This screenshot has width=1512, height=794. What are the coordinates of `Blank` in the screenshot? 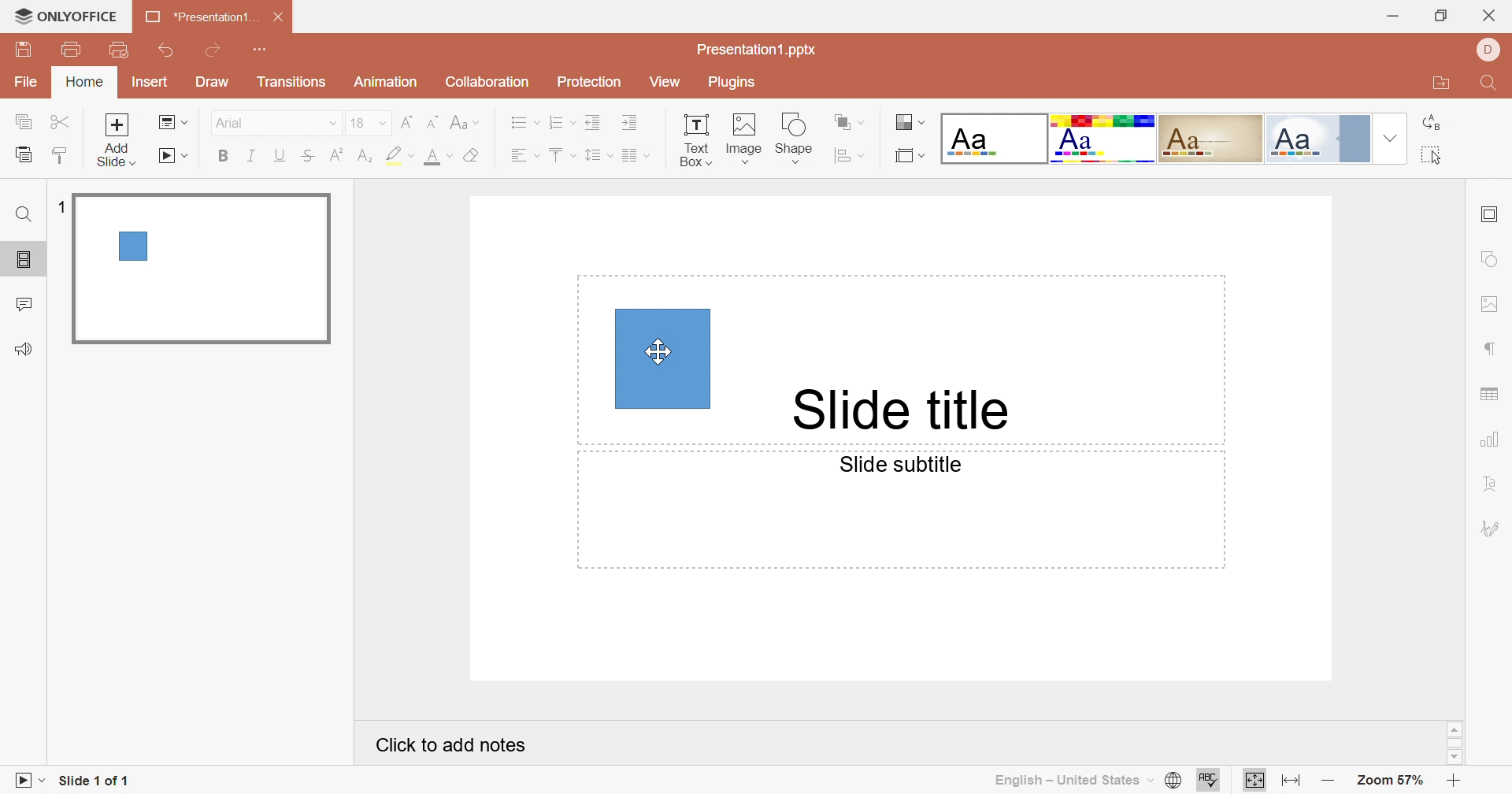 It's located at (993, 140).